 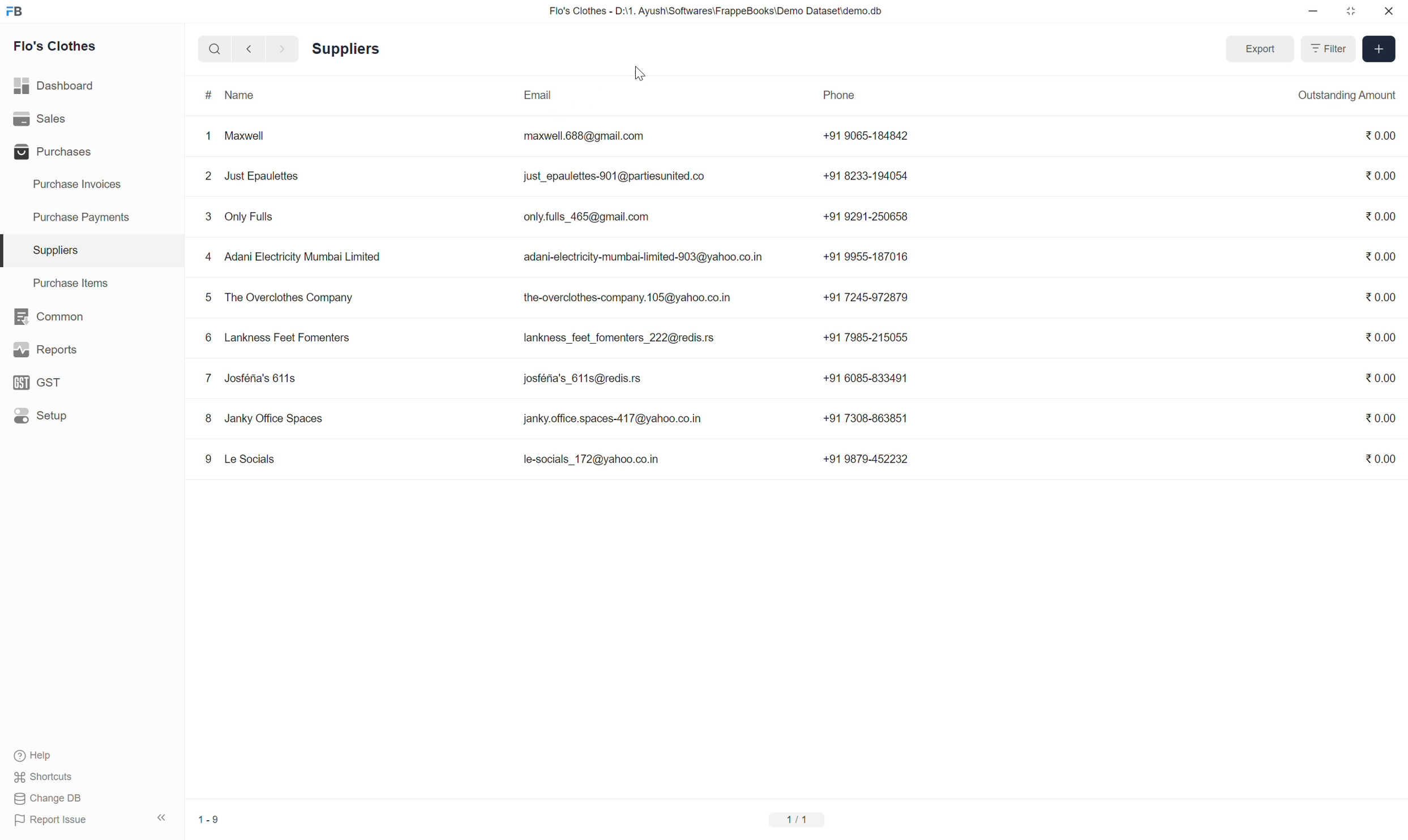 What do you see at coordinates (866, 297) in the screenshot?
I see `+91 7245-972879` at bounding box center [866, 297].